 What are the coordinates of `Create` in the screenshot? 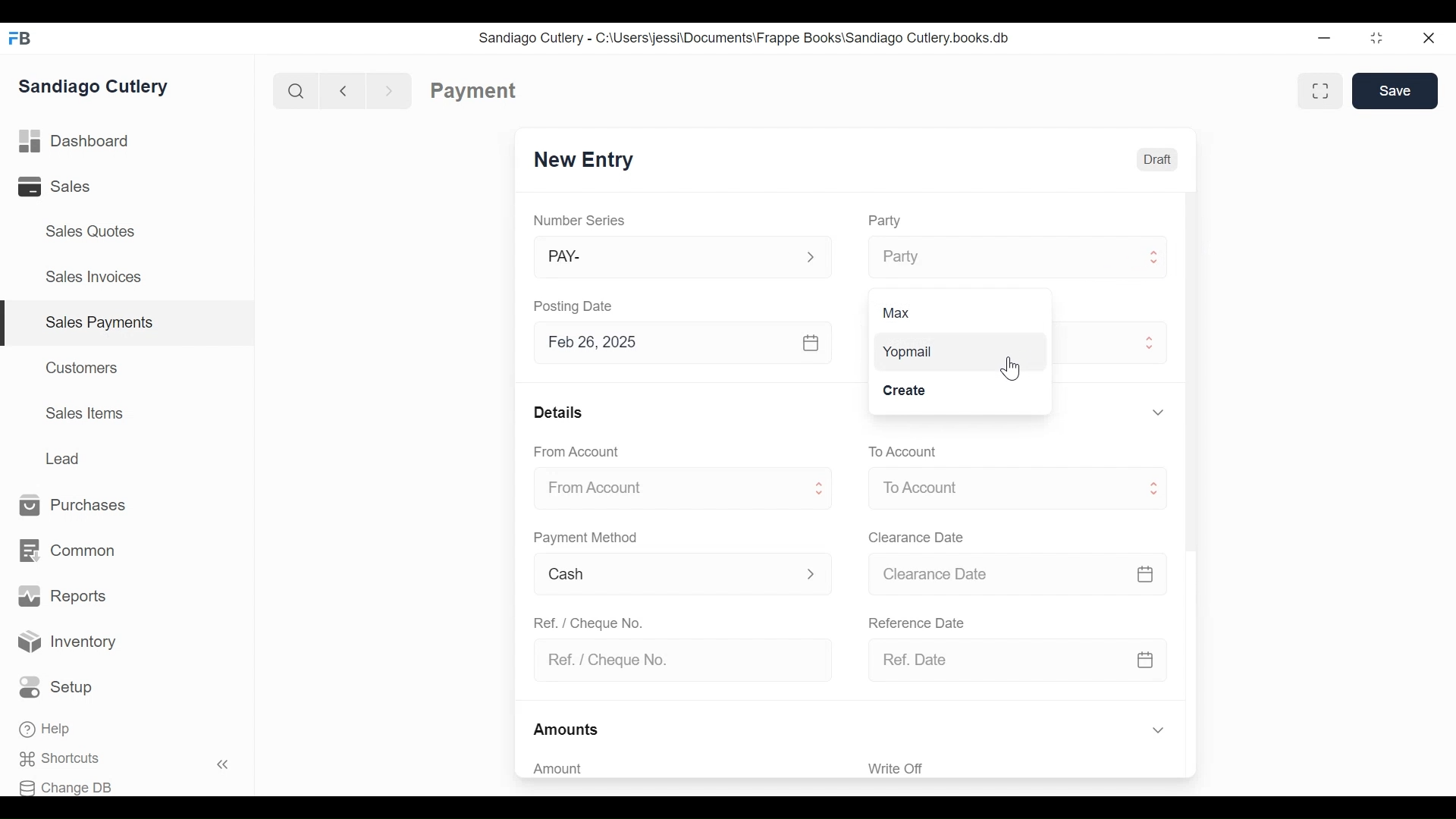 It's located at (913, 393).